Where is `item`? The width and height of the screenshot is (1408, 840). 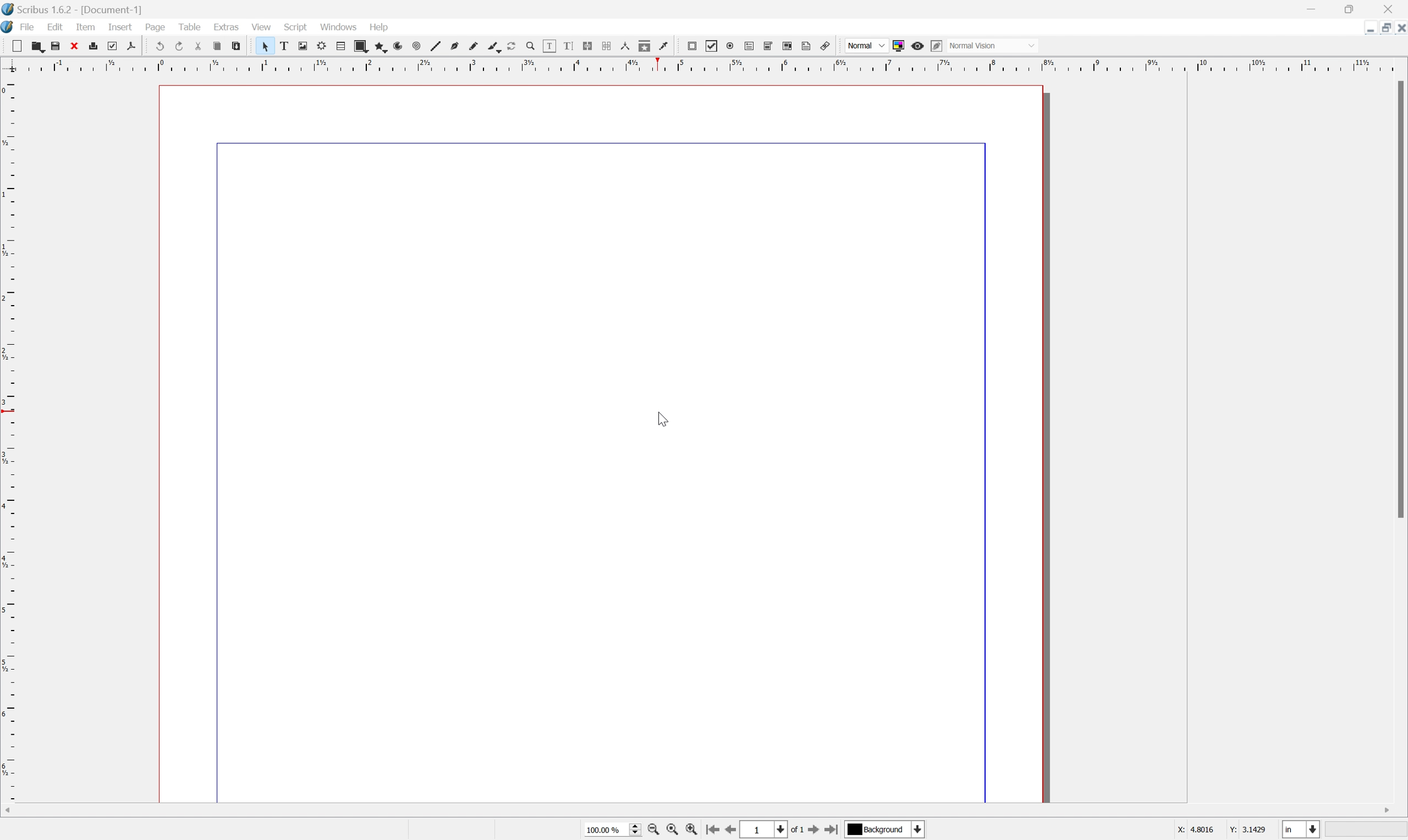
item is located at coordinates (84, 27).